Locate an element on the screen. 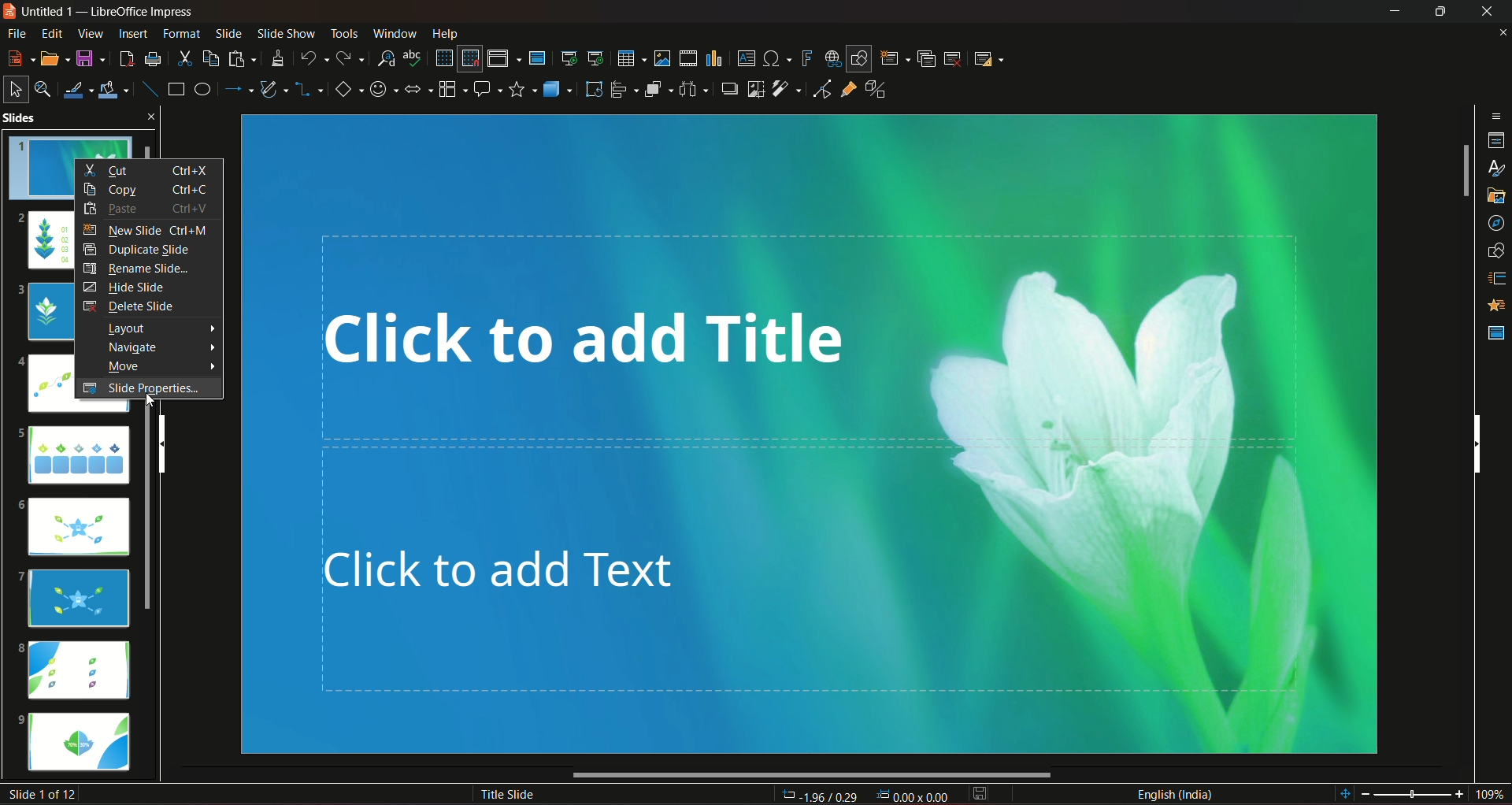  vertical slide bar is located at coordinates (1464, 172).